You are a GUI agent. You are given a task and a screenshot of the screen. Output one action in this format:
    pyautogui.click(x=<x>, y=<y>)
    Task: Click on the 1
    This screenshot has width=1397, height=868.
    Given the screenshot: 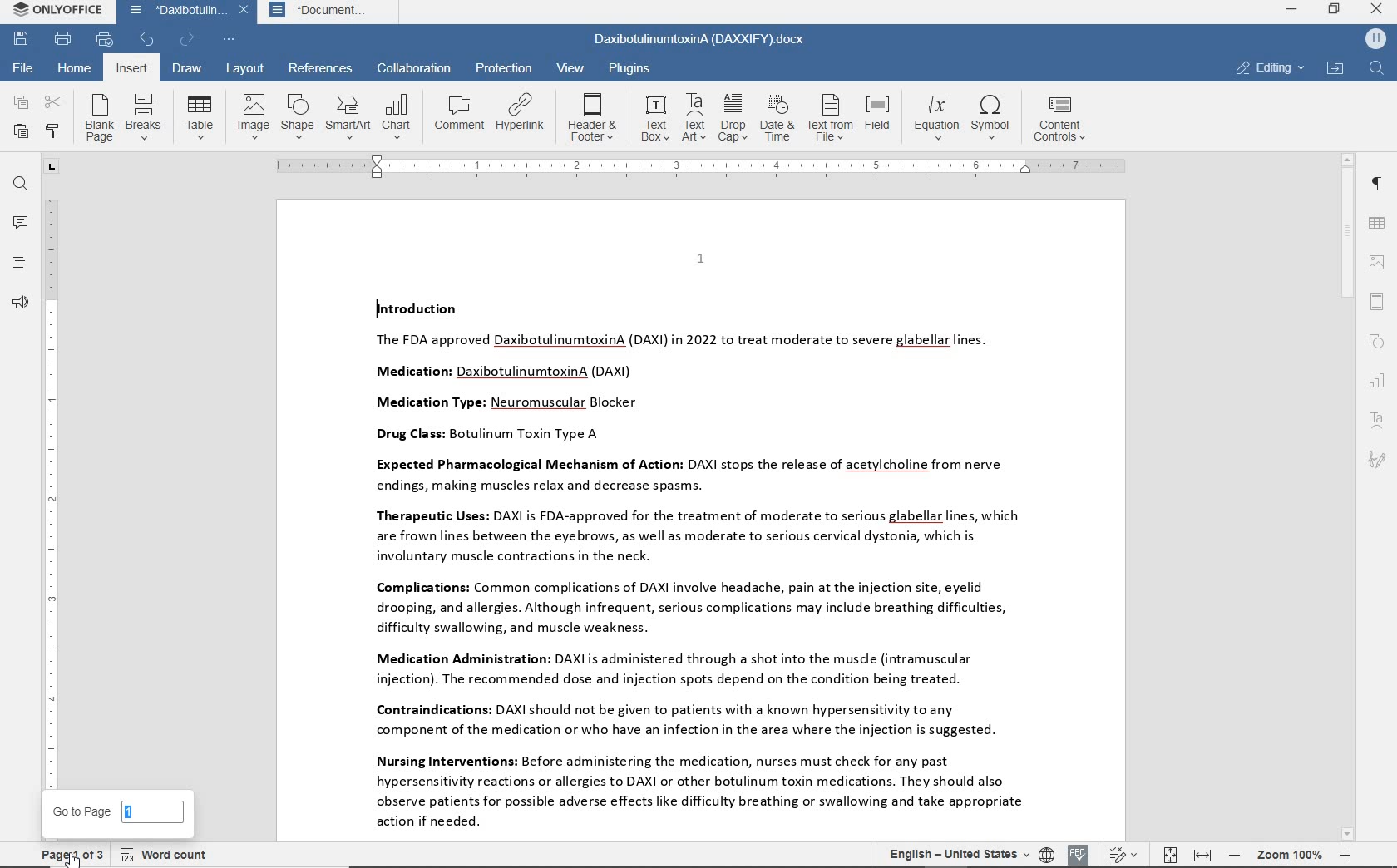 What is the action you would take?
    pyautogui.click(x=700, y=258)
    